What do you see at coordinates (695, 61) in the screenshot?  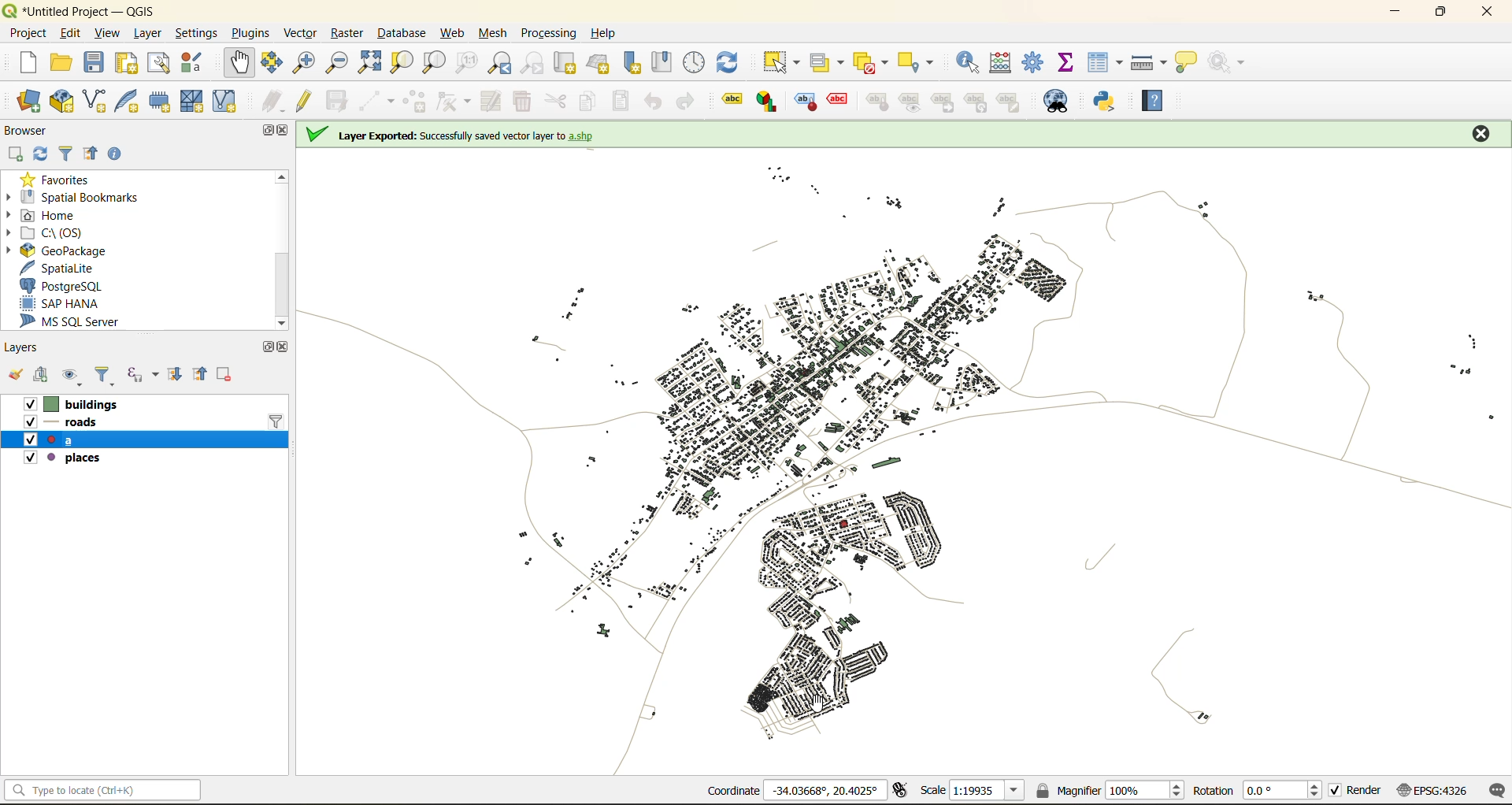 I see `control panel` at bounding box center [695, 61].